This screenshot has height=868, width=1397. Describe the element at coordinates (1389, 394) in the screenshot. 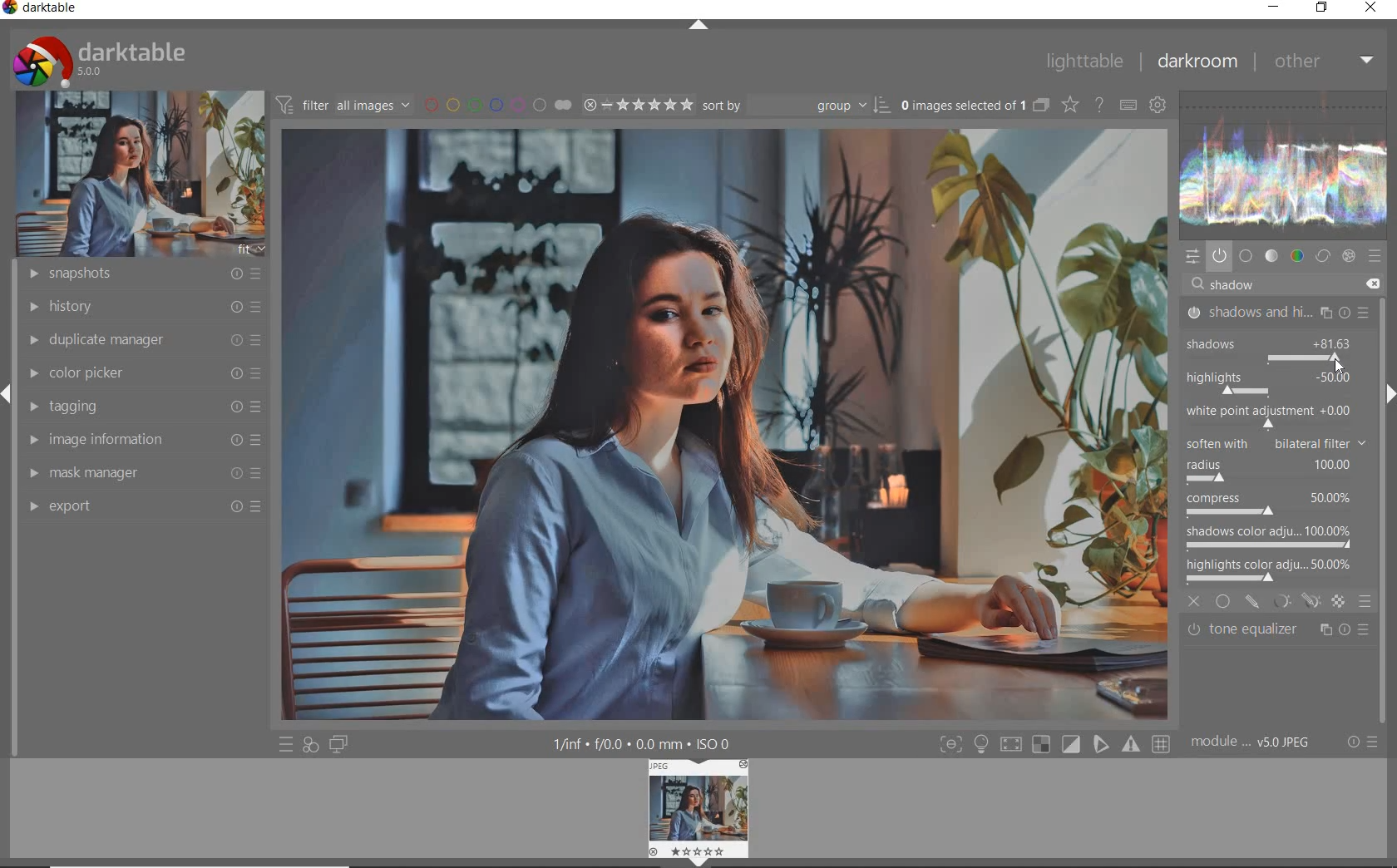

I see `expand/collapse` at that location.